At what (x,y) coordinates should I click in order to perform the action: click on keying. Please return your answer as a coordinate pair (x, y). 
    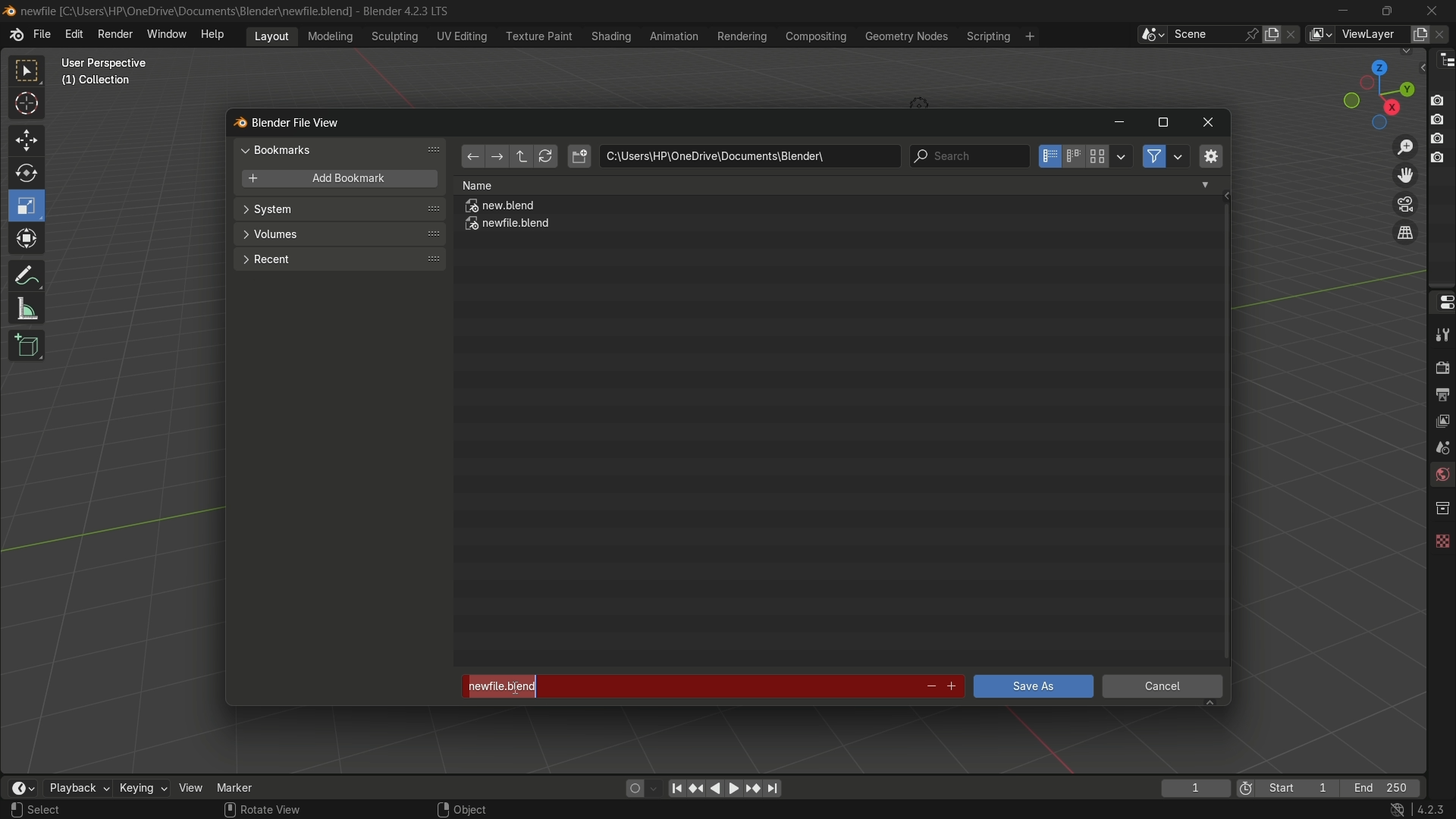
    Looking at the image, I should click on (142, 789).